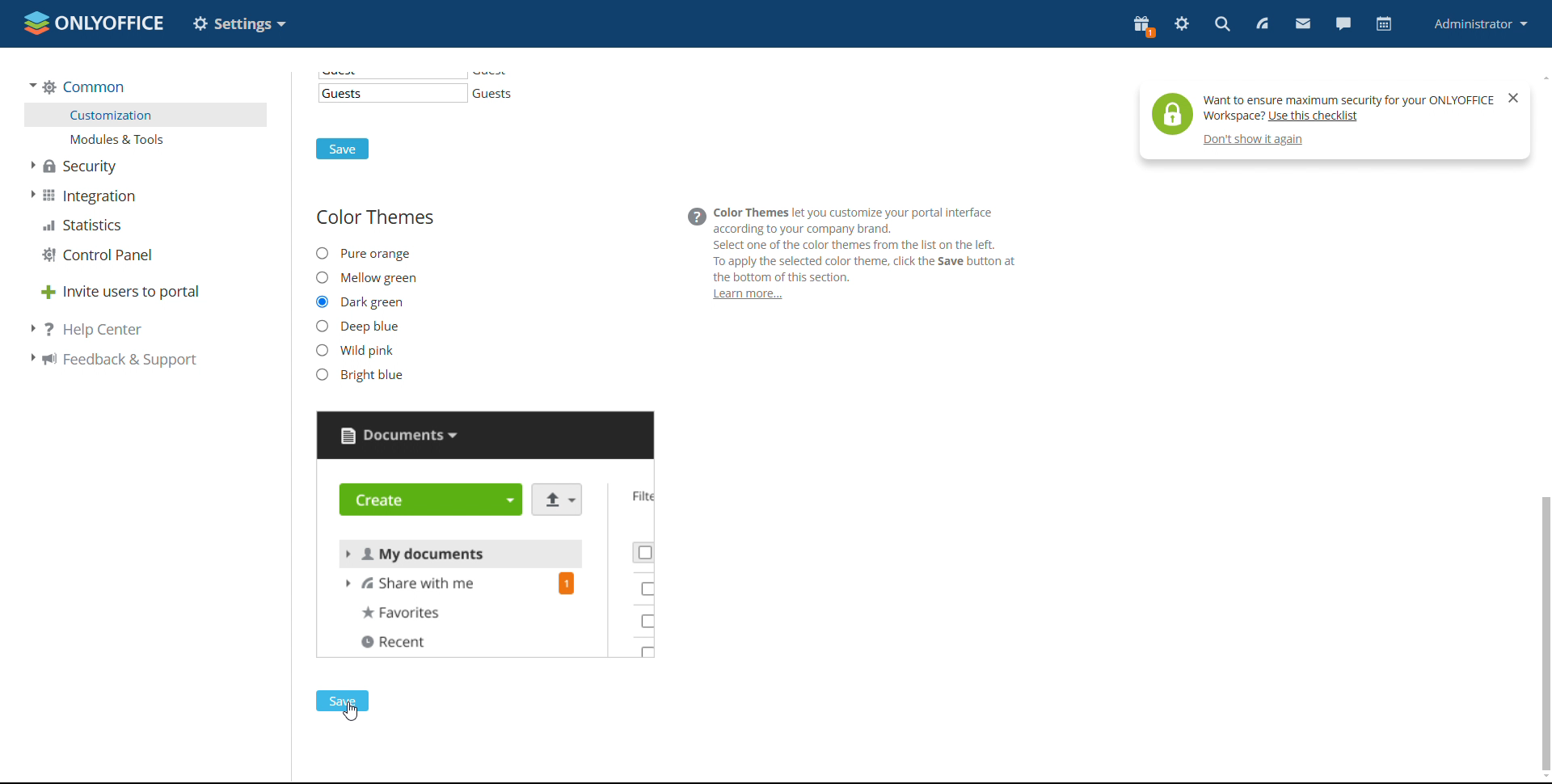  Describe the element at coordinates (1542, 75) in the screenshot. I see `scroll up` at that location.